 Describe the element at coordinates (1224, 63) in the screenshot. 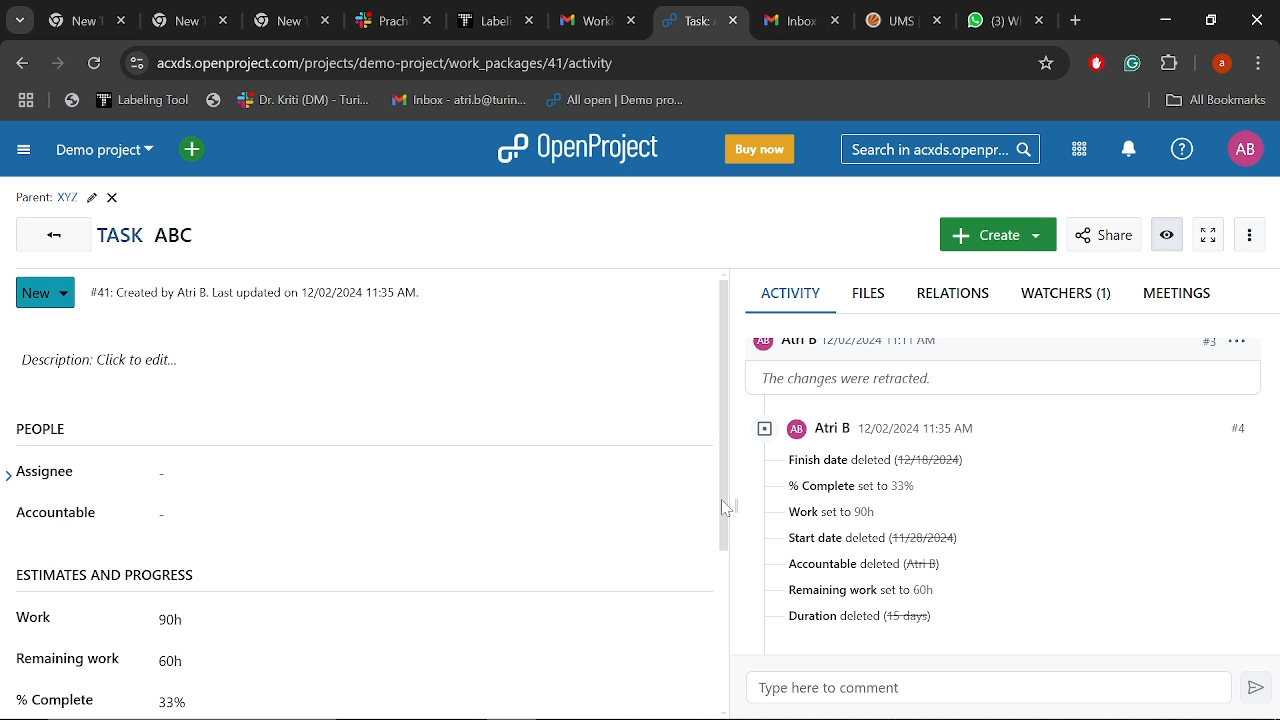

I see `Profile` at that location.